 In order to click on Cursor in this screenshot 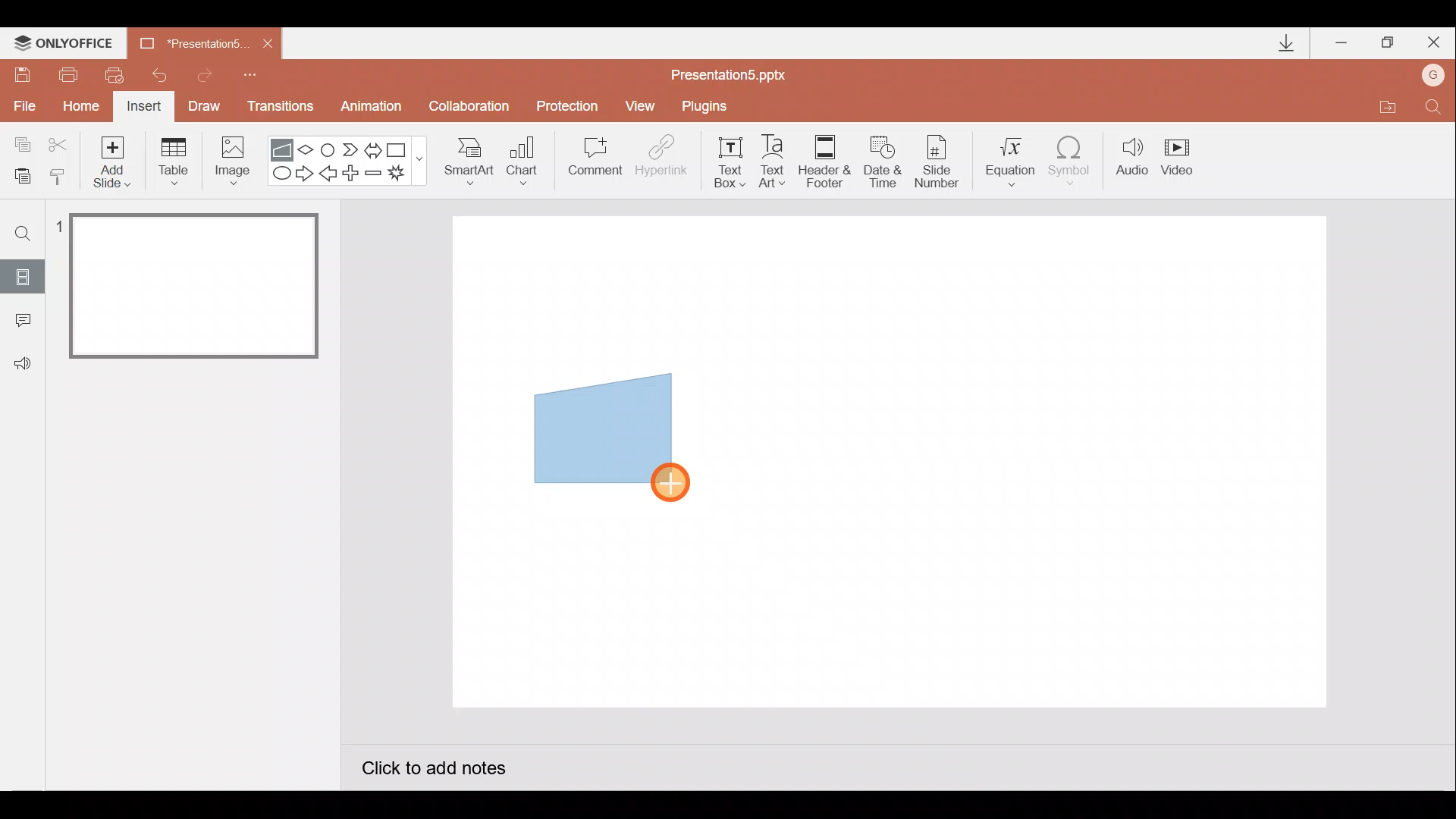, I will do `click(673, 479)`.